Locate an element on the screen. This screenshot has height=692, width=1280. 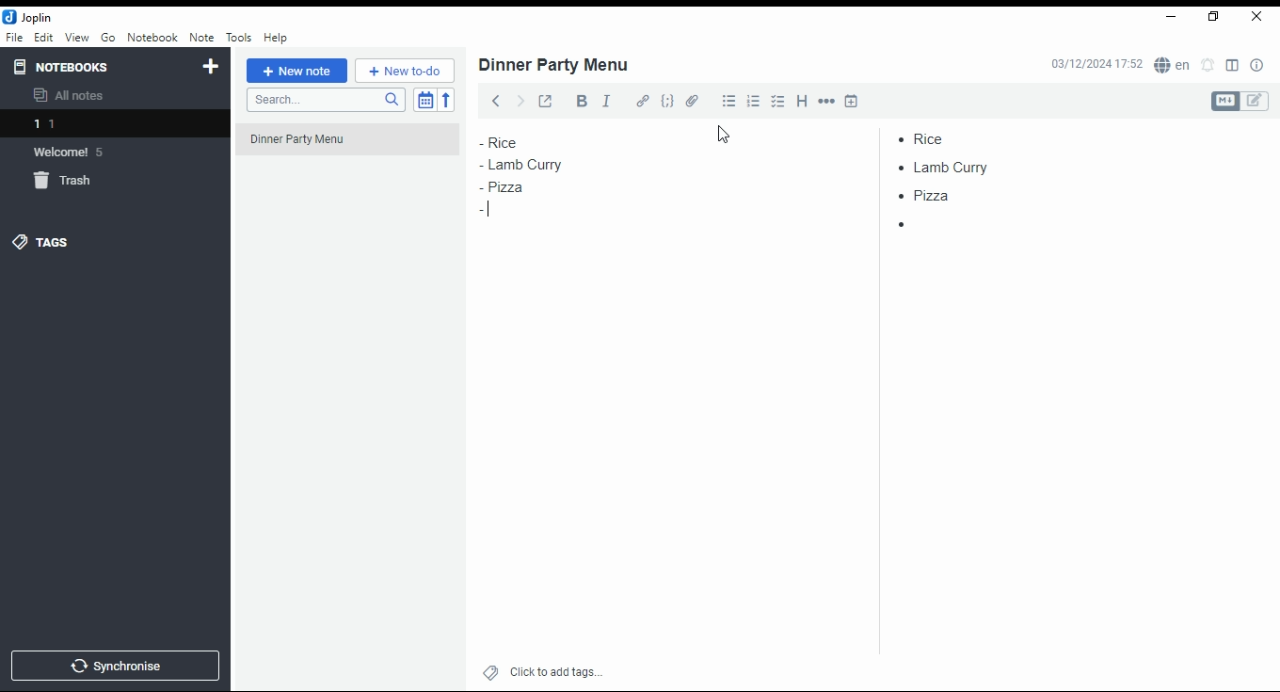
Text cursor is located at coordinates (489, 211).